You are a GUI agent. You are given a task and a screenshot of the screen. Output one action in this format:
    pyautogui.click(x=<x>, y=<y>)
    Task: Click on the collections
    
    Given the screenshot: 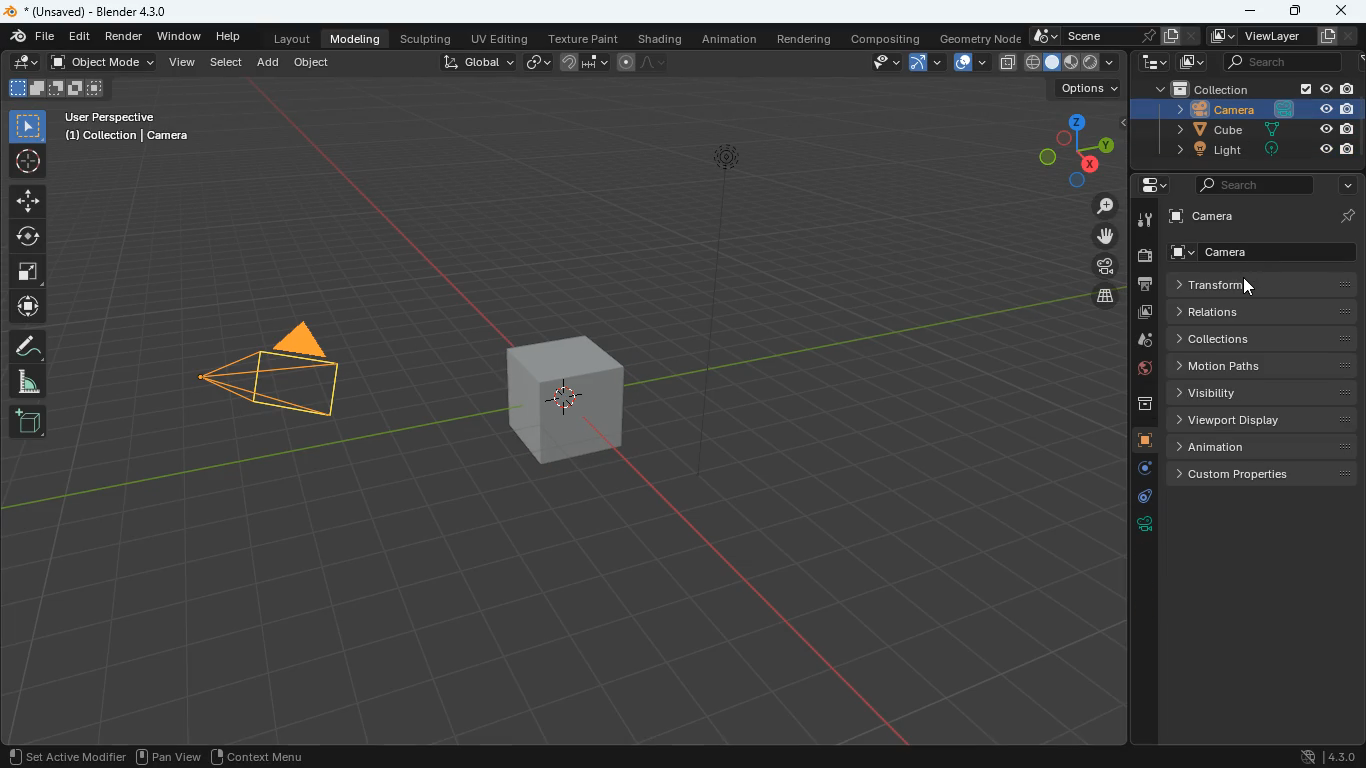 What is the action you would take?
    pyautogui.click(x=1264, y=337)
    